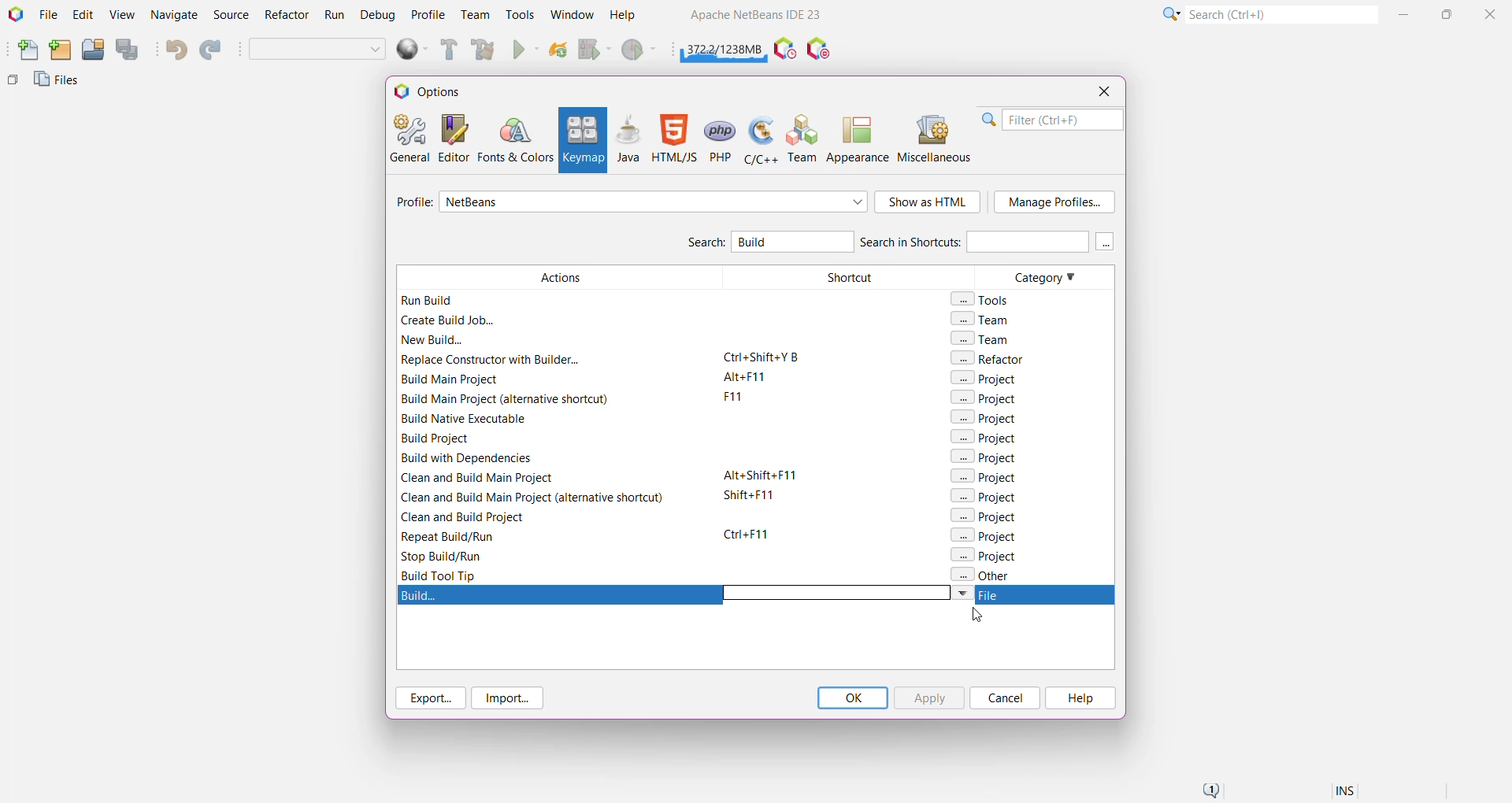  Describe the element at coordinates (594, 50) in the screenshot. I see `Debug Main Project` at that location.